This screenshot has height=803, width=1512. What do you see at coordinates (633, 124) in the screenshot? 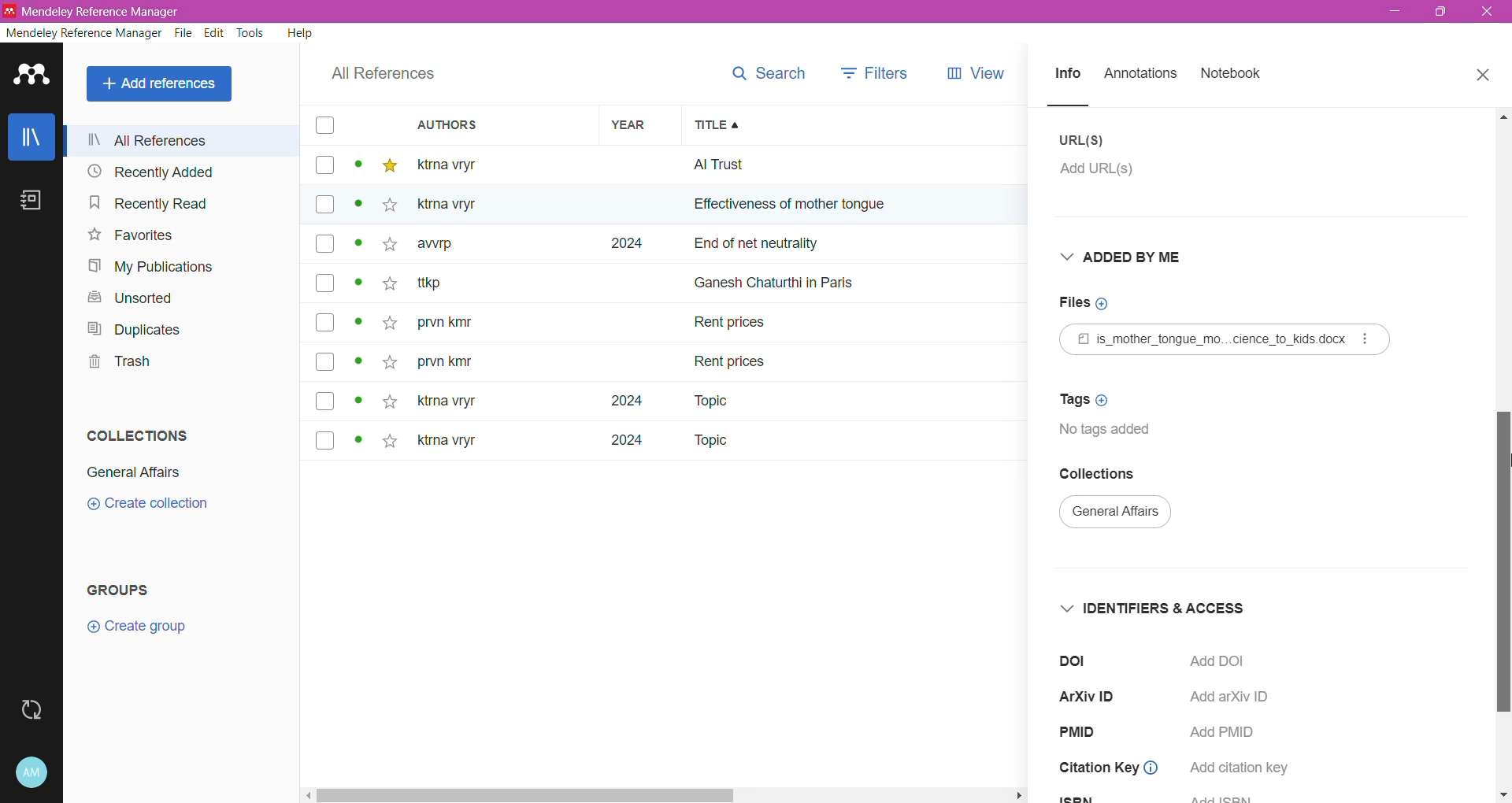
I see `Year` at bounding box center [633, 124].